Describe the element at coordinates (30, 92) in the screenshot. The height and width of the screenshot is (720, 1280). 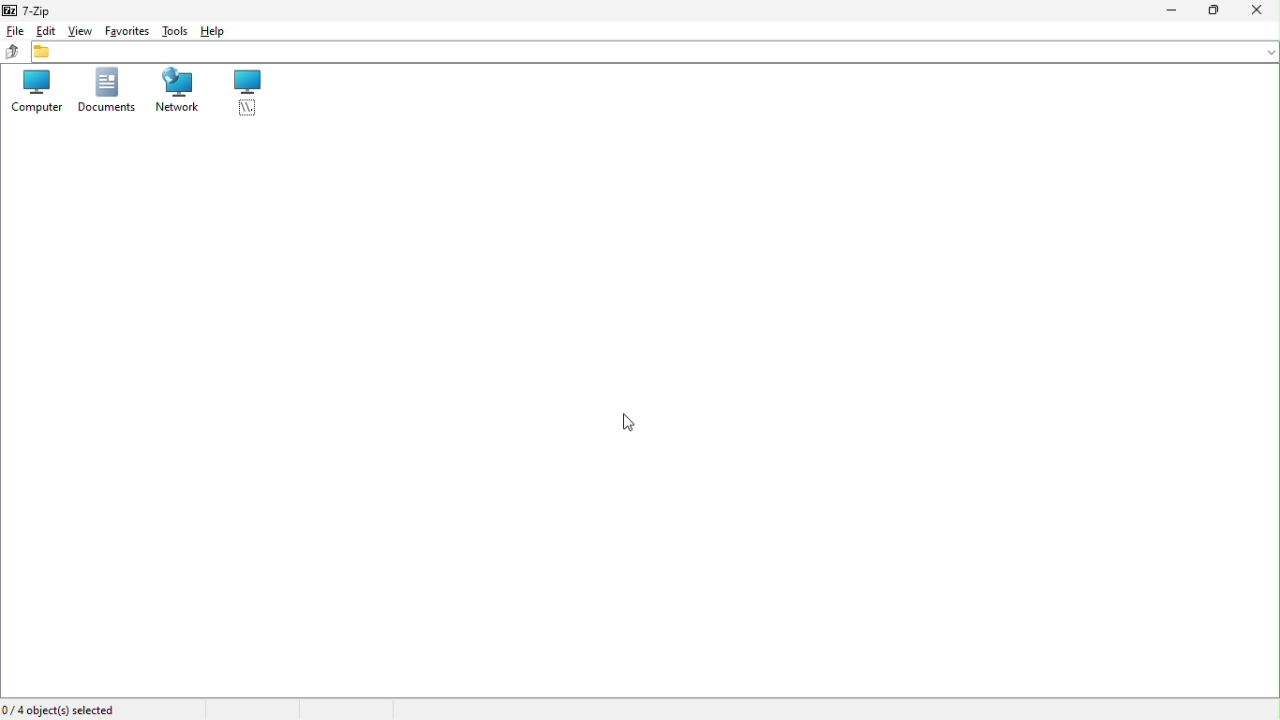
I see `Computer` at that location.